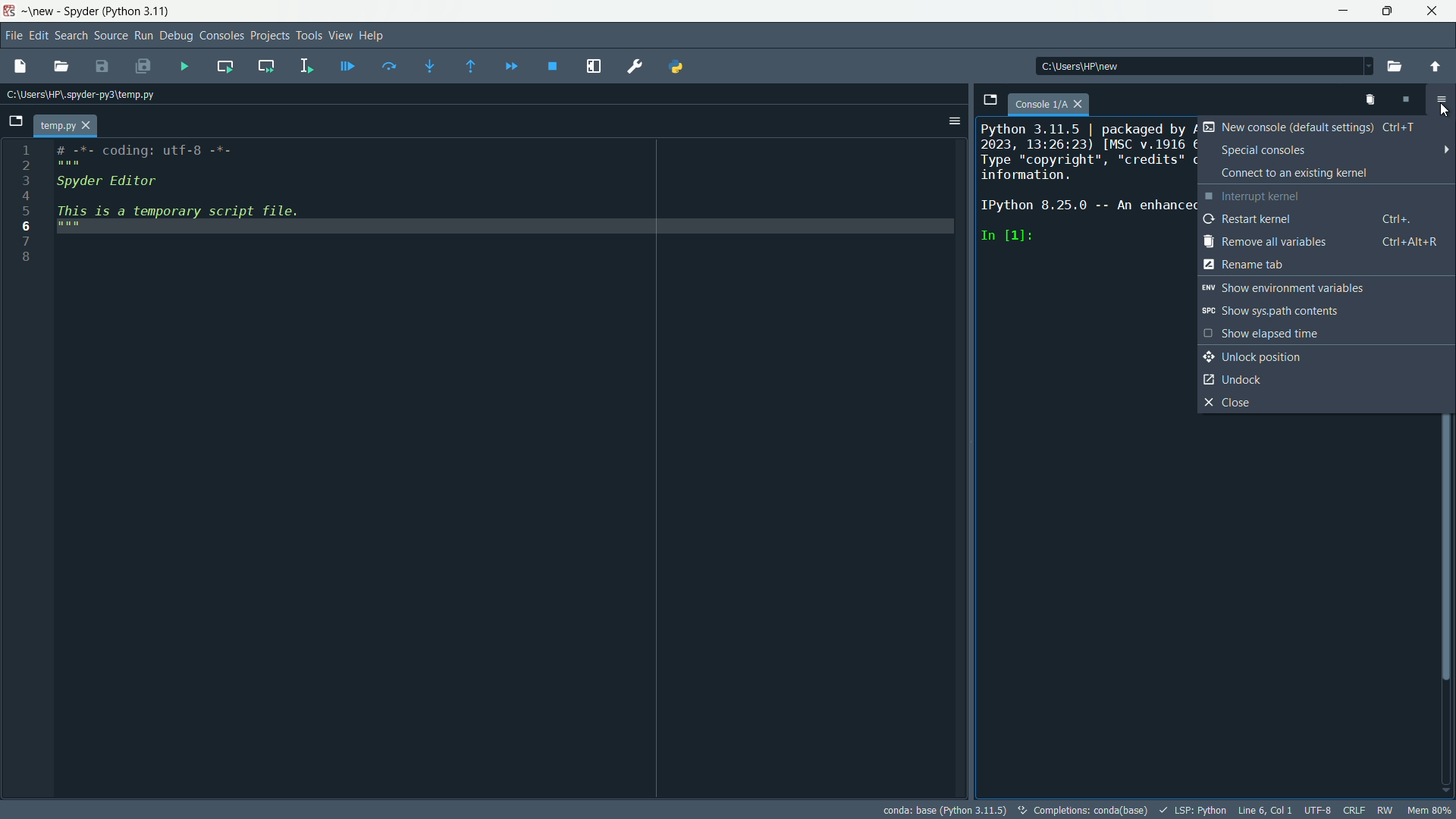 This screenshot has width=1456, height=819. I want to click on console 1/A, so click(1051, 103).